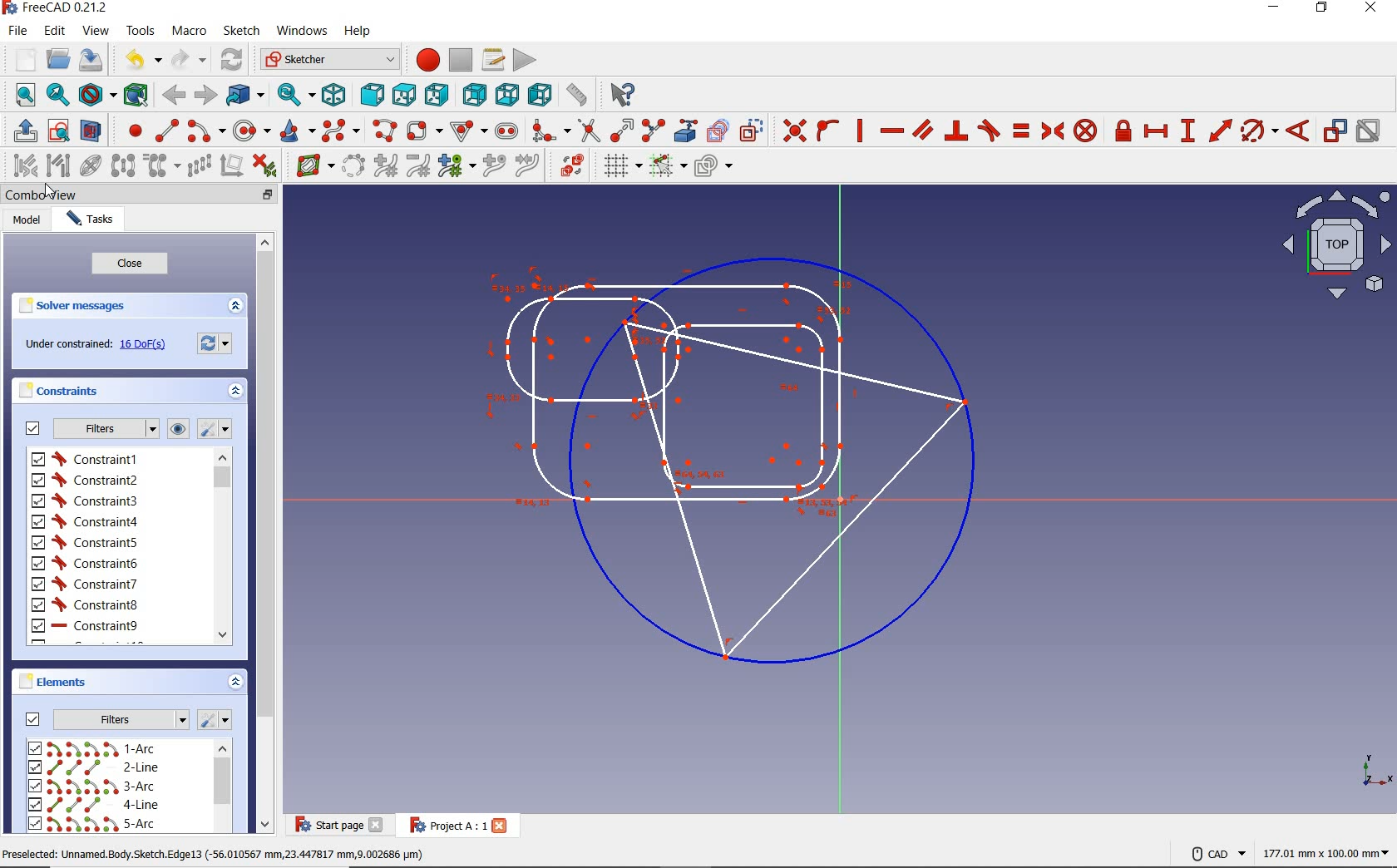 This screenshot has width=1397, height=868. What do you see at coordinates (95, 220) in the screenshot?
I see `tasks` at bounding box center [95, 220].